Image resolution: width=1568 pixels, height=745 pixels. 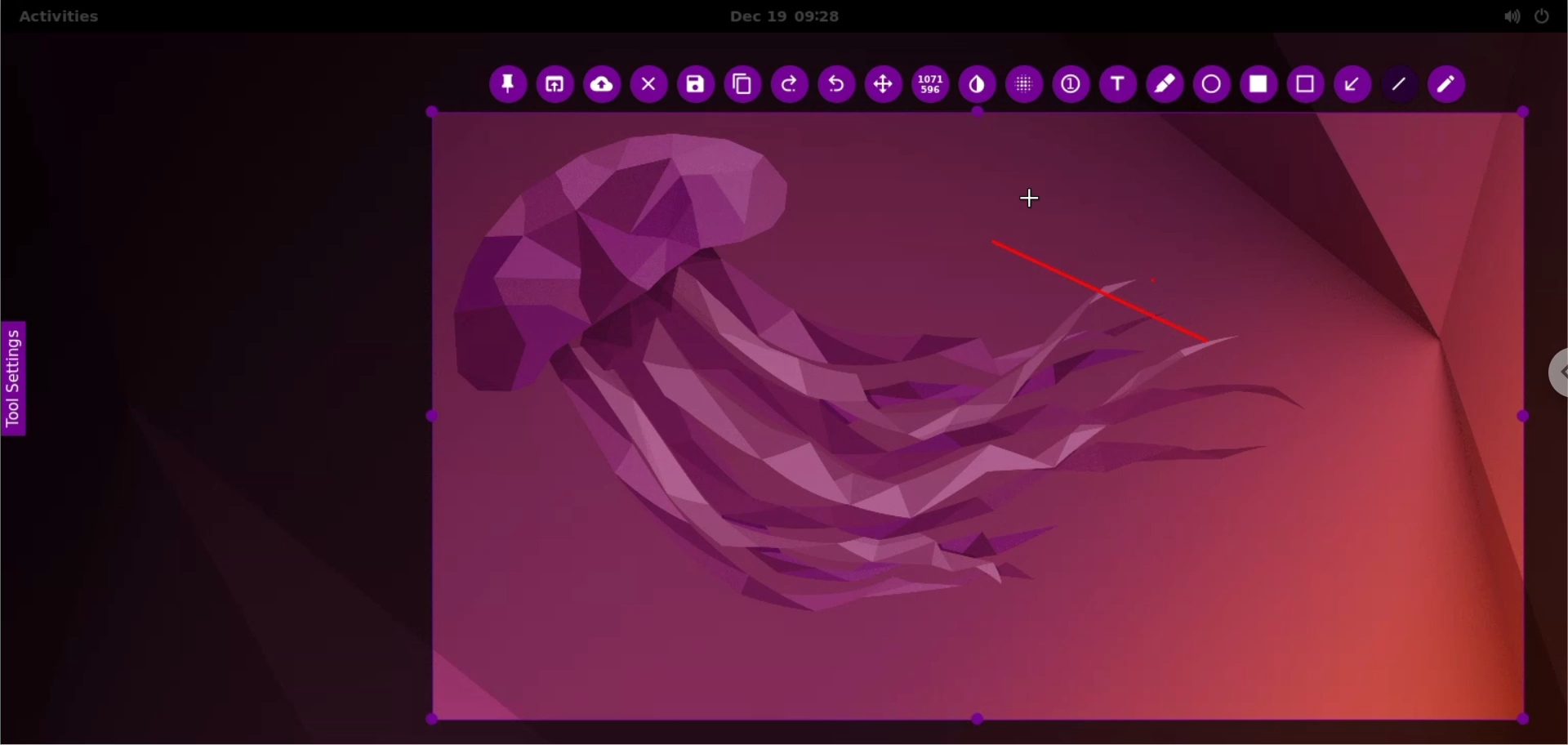 I want to click on copy to clipboard , so click(x=744, y=84).